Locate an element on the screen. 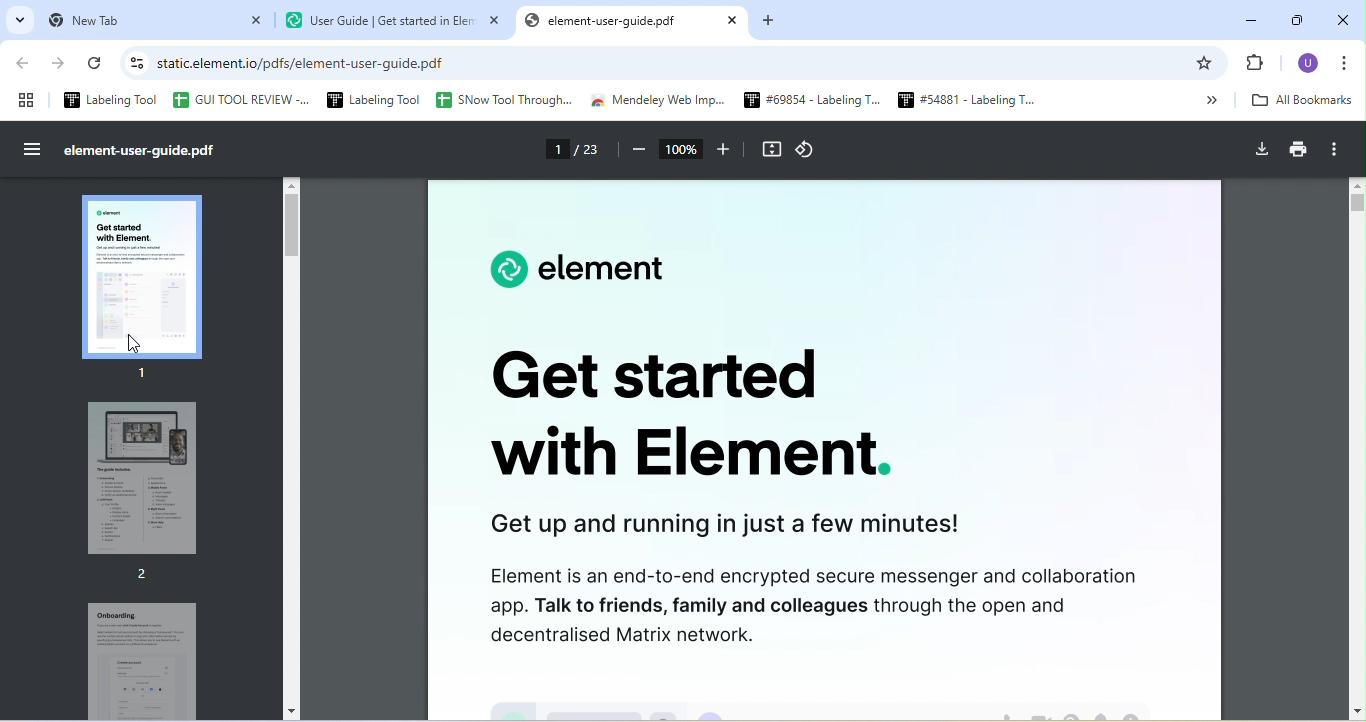  new tab is located at coordinates (154, 21).